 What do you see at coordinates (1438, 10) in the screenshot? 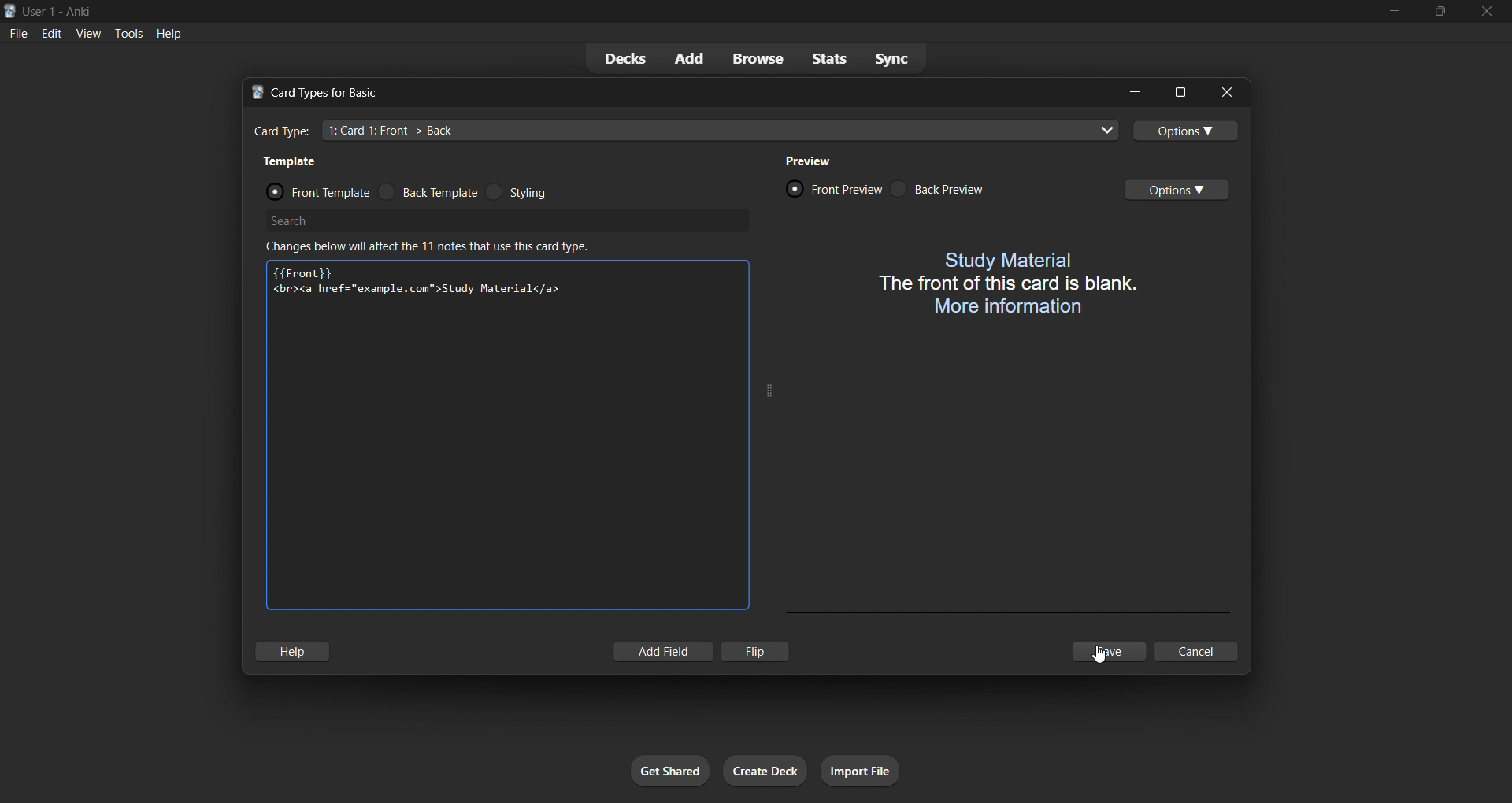
I see `maximize/restore` at bounding box center [1438, 10].